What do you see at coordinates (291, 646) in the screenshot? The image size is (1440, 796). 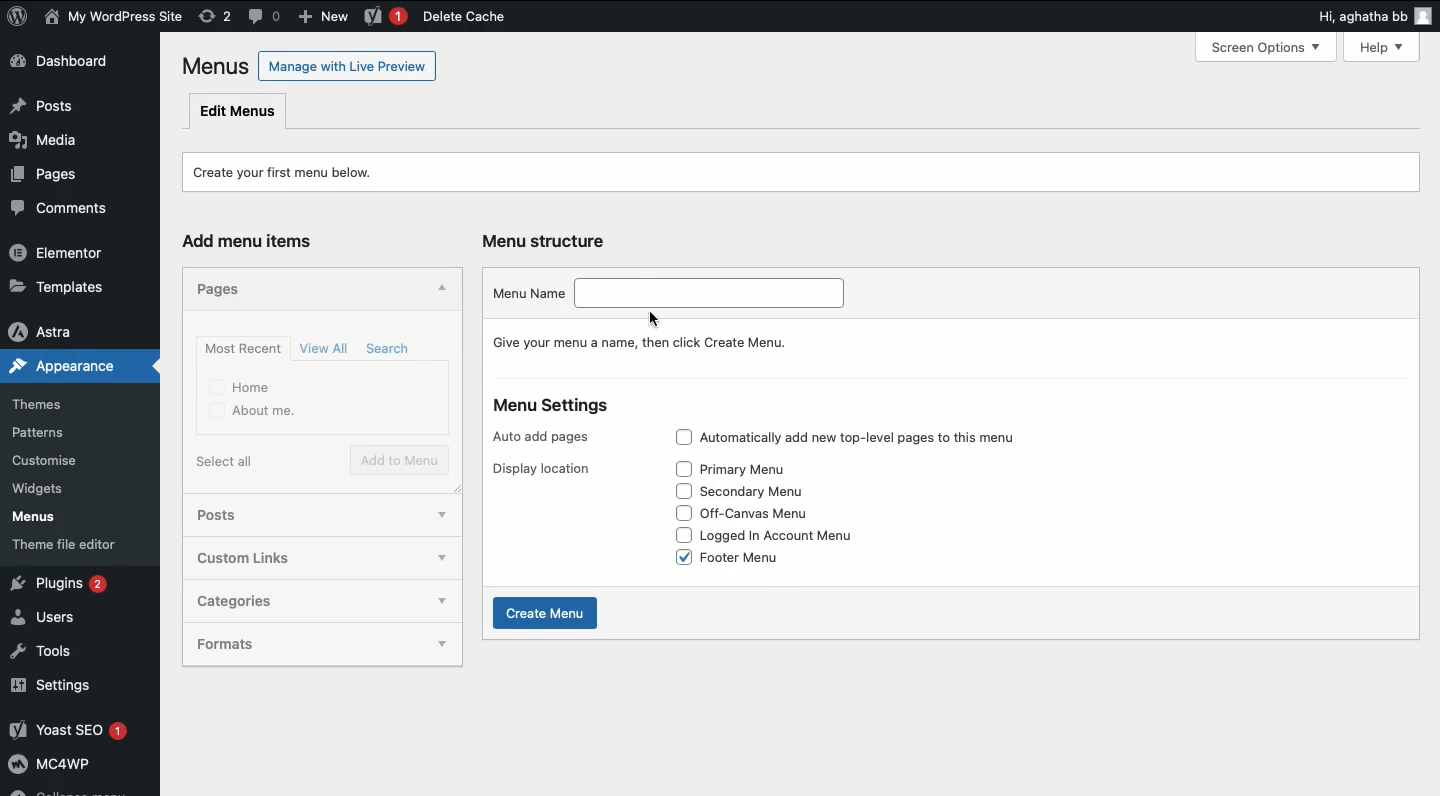 I see `Formats` at bounding box center [291, 646].